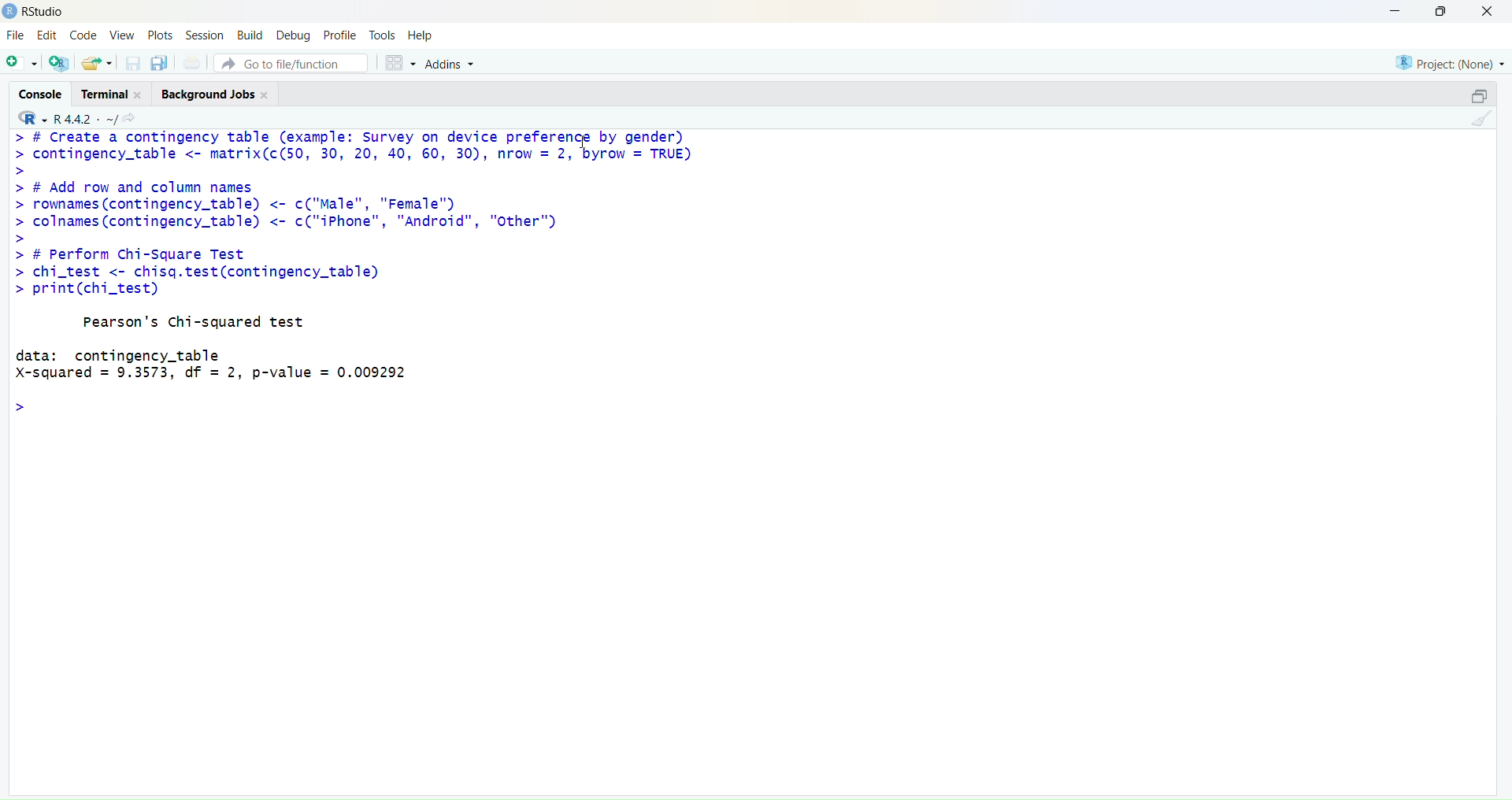 This screenshot has width=1512, height=800. I want to click on >, so click(19, 407).